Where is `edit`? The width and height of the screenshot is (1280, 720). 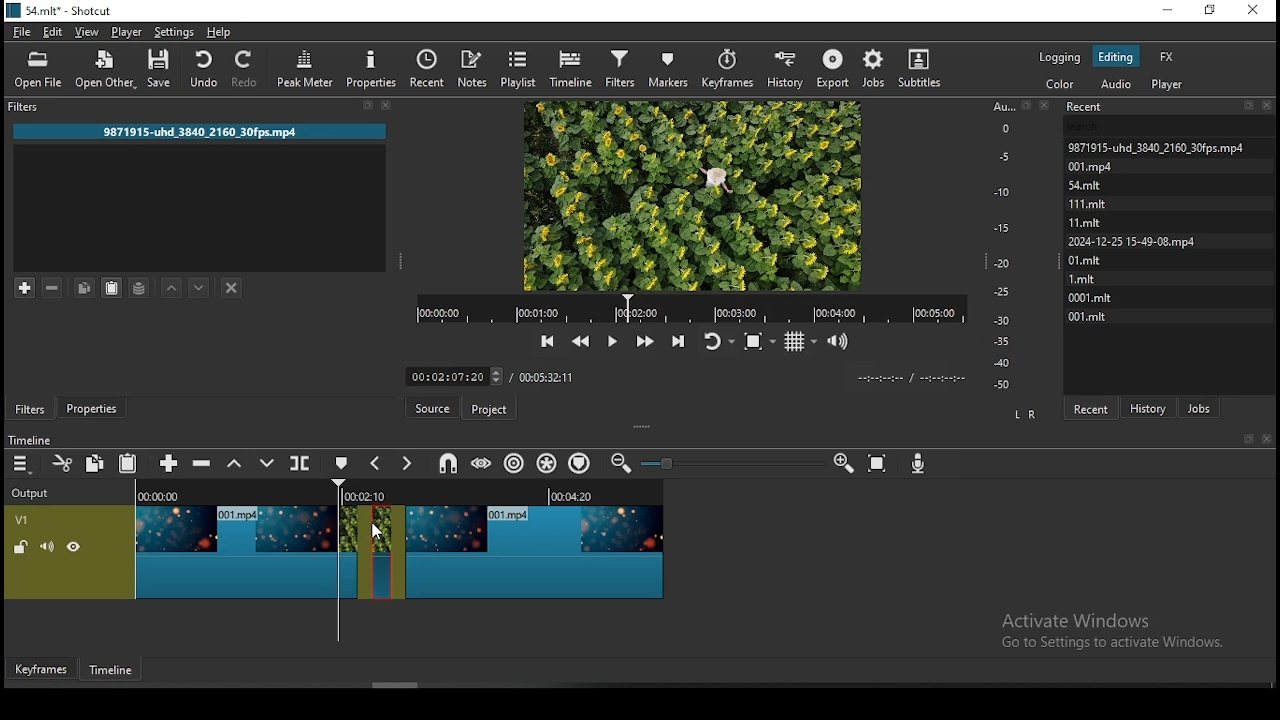
edit is located at coordinates (51, 31).